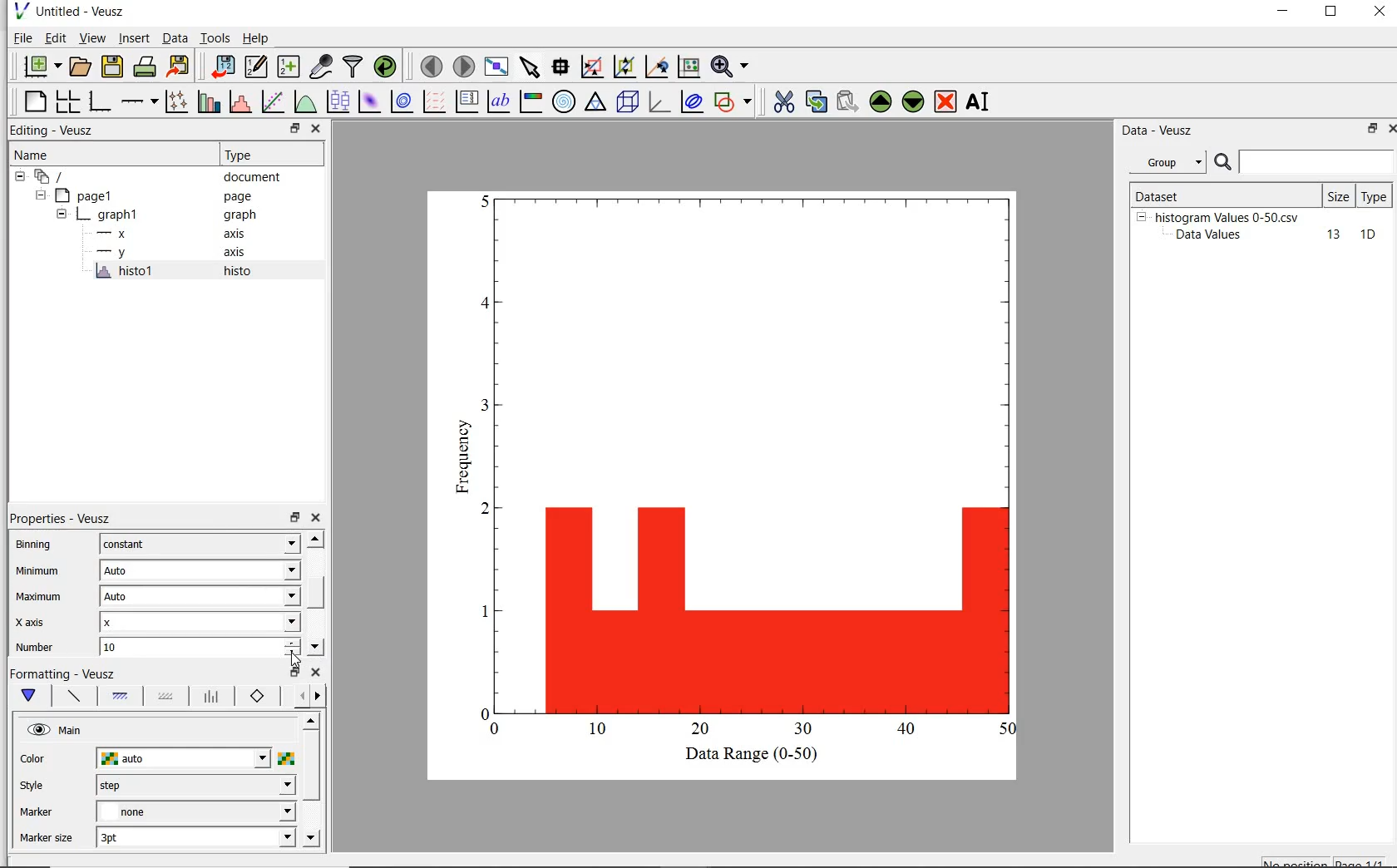 This screenshot has height=868, width=1397. Describe the element at coordinates (310, 720) in the screenshot. I see `move up` at that location.